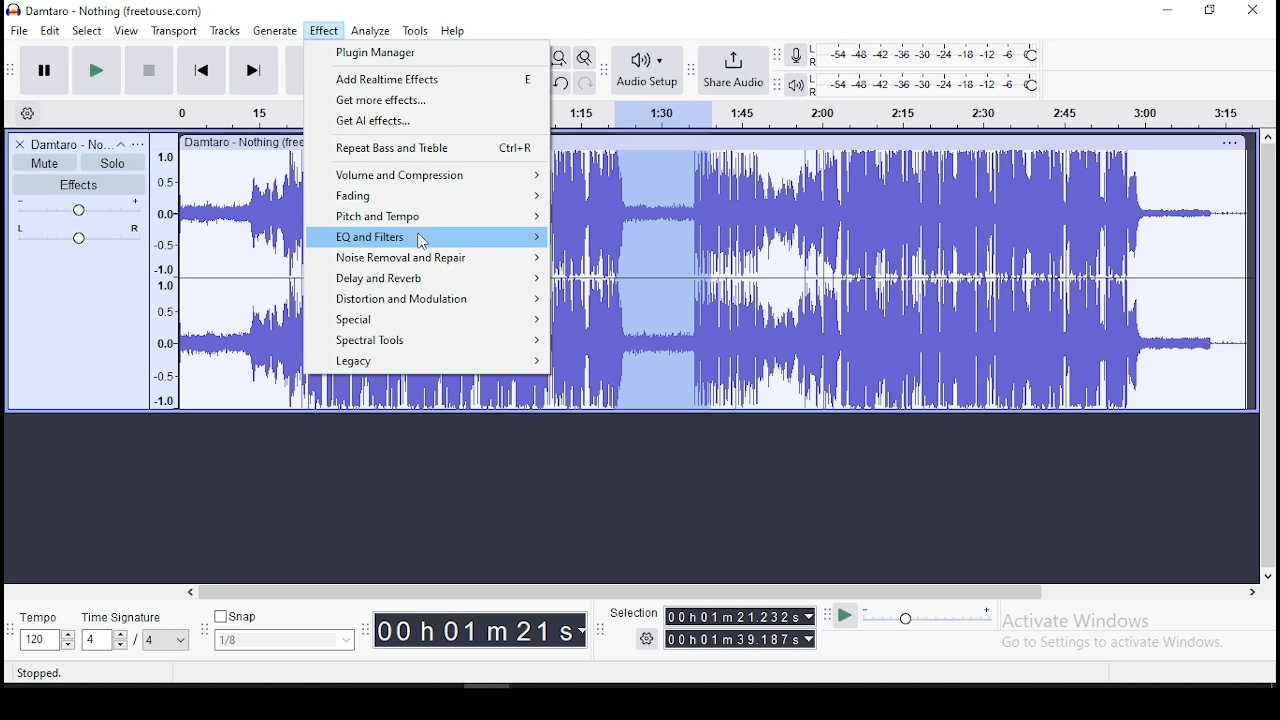 The width and height of the screenshot is (1280, 720). What do you see at coordinates (646, 68) in the screenshot?
I see `audio setup` at bounding box center [646, 68].